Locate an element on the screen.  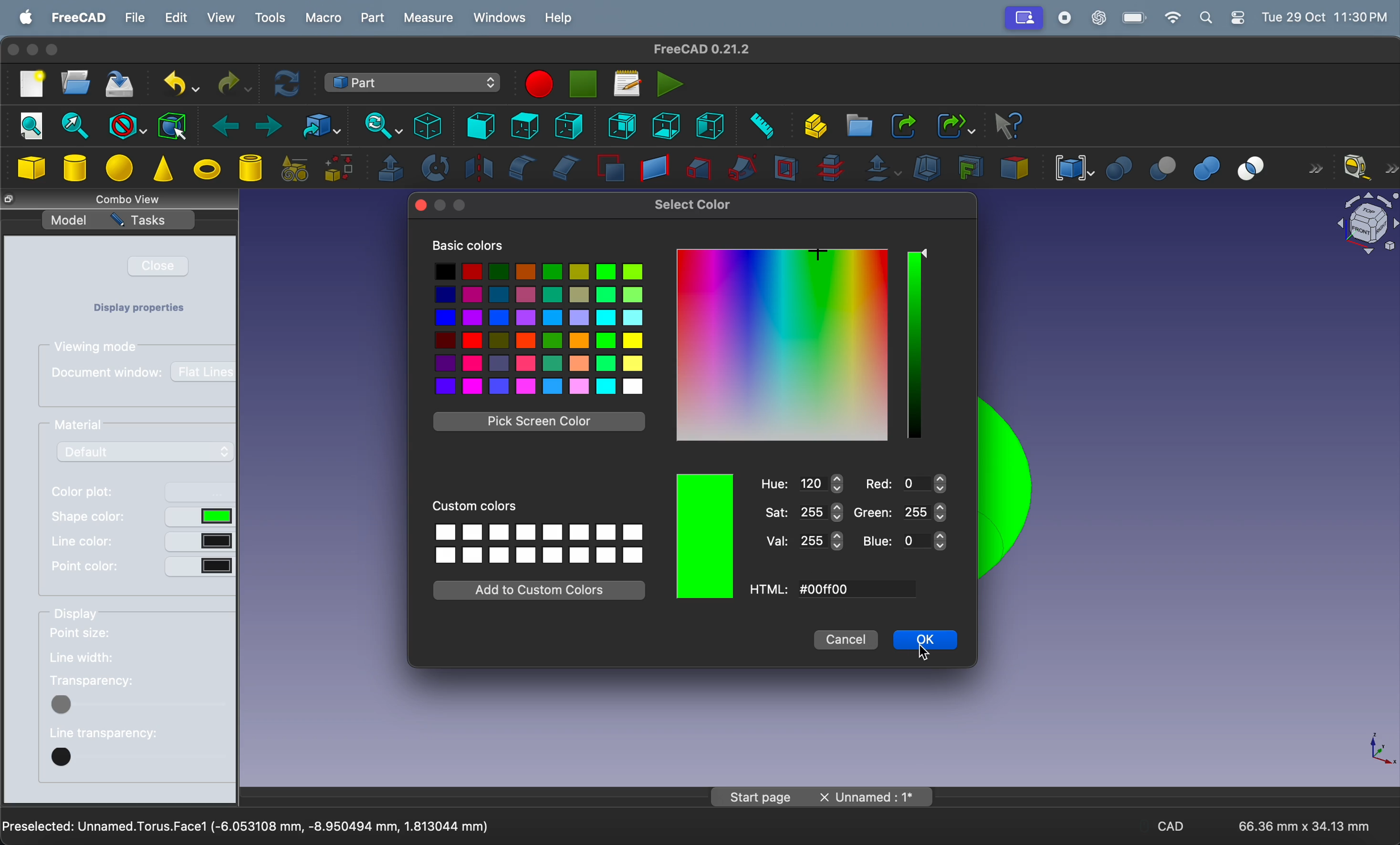
fillet is located at coordinates (520, 168).